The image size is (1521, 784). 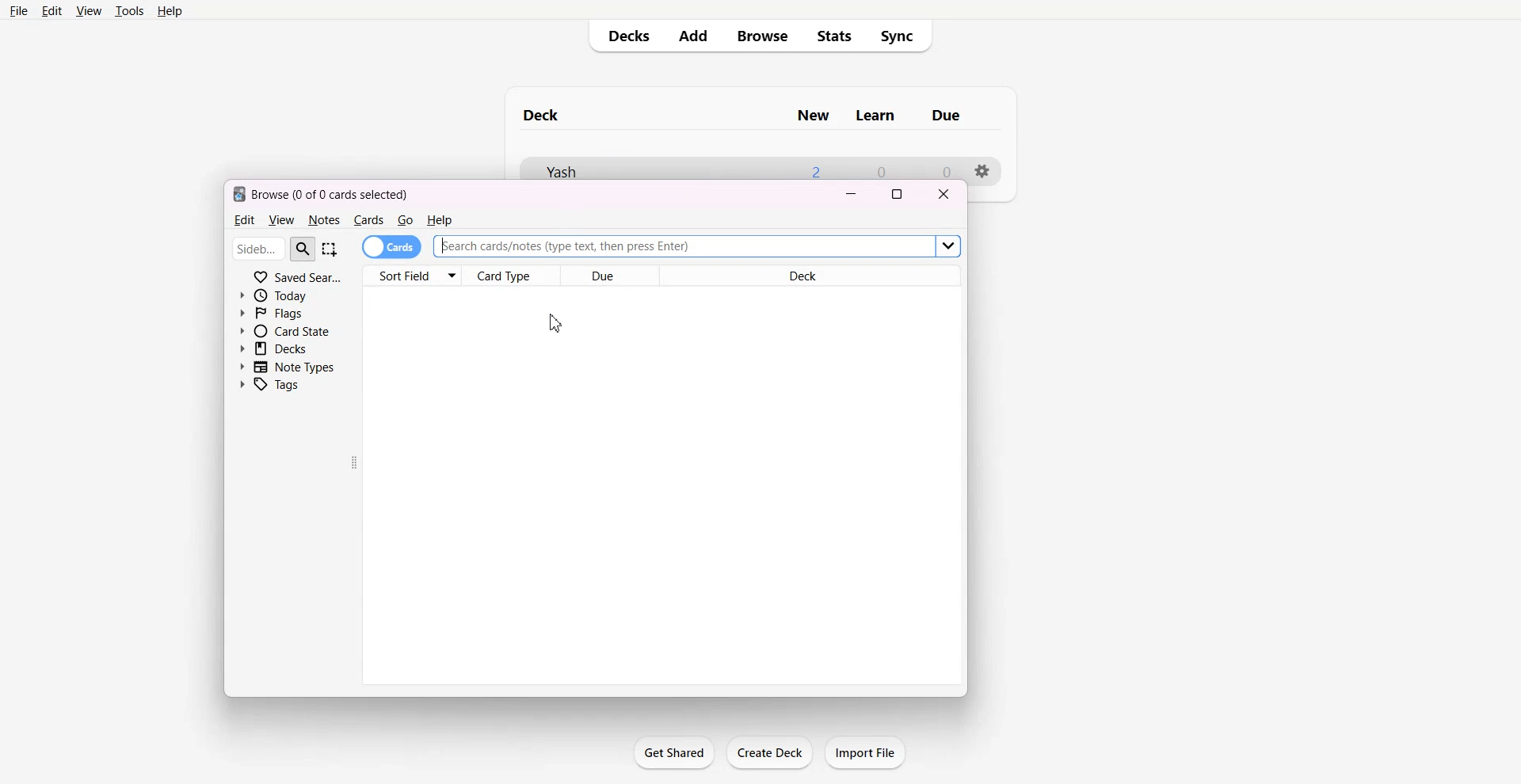 What do you see at coordinates (392, 247) in the screenshot?
I see `Cards` at bounding box center [392, 247].